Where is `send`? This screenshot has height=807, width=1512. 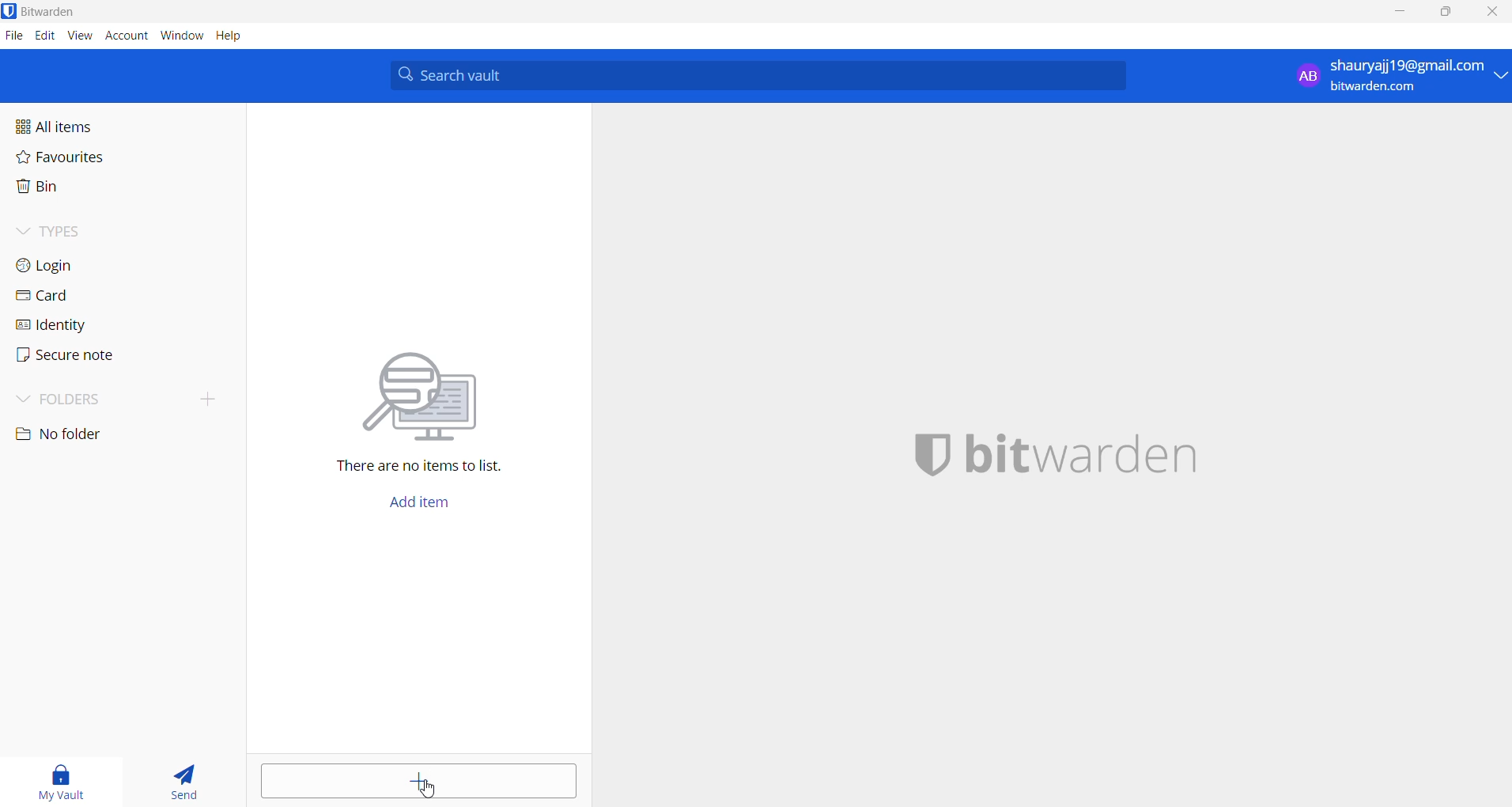
send is located at coordinates (176, 777).